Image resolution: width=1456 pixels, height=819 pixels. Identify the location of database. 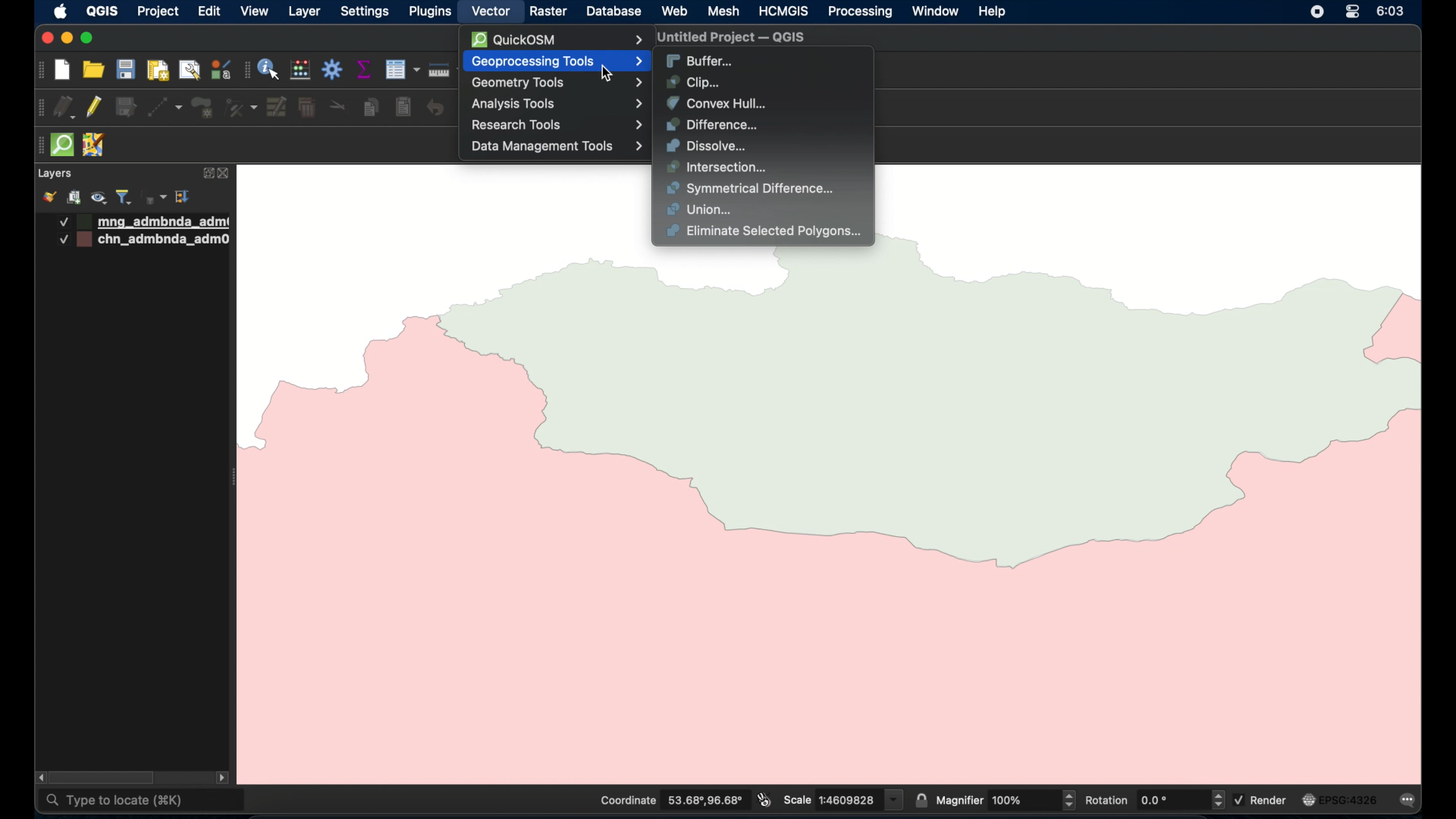
(612, 13).